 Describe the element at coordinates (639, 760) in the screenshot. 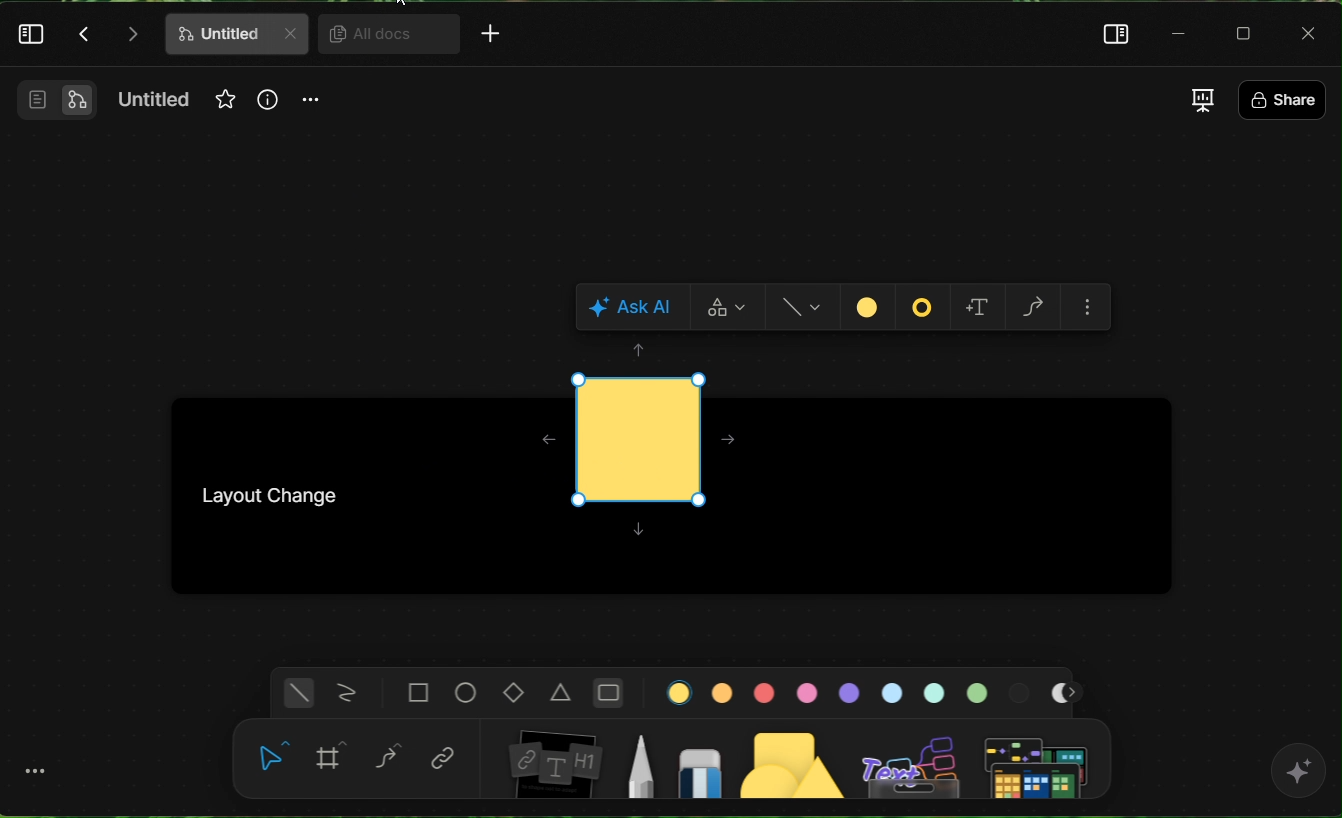

I see `pen` at that location.